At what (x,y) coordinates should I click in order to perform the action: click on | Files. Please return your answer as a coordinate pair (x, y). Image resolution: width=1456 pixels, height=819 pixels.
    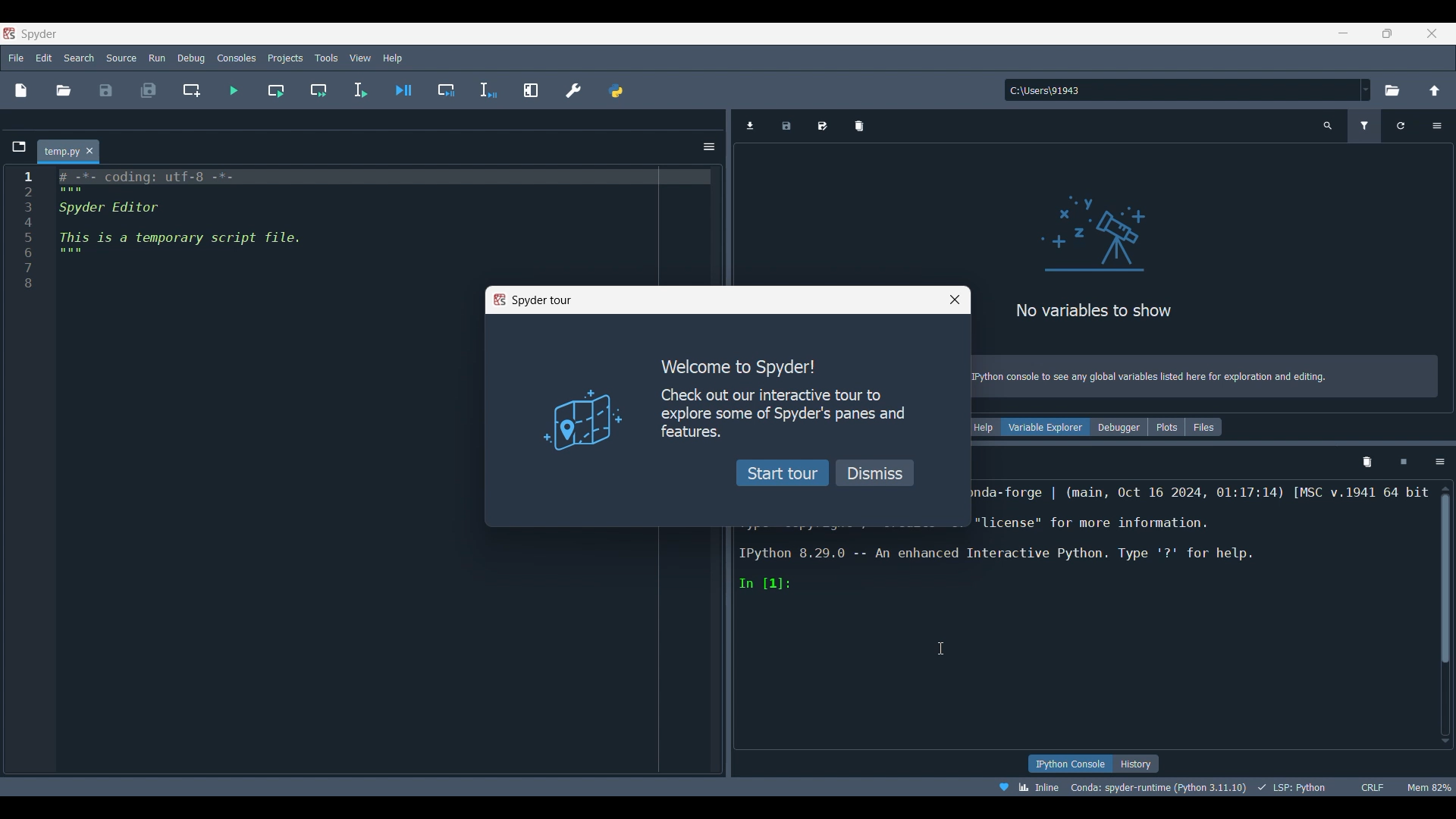
    Looking at the image, I should click on (1203, 428).